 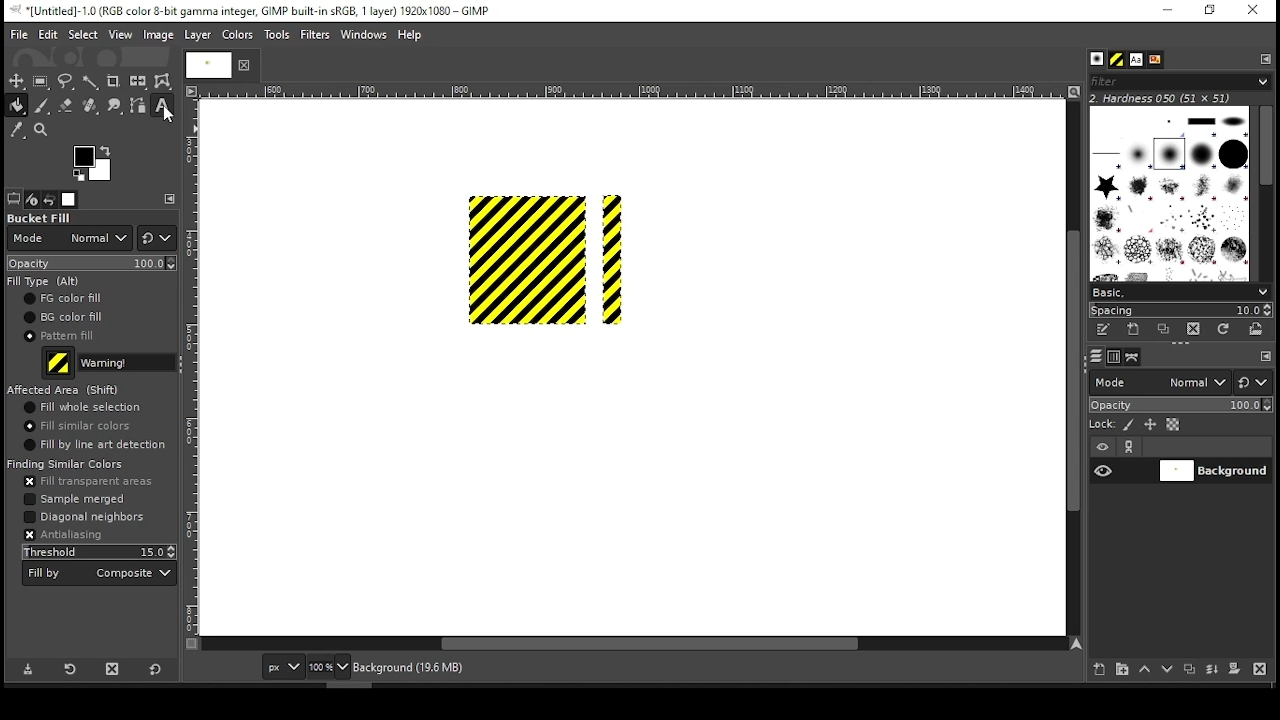 What do you see at coordinates (1136, 329) in the screenshot?
I see `create a new brush` at bounding box center [1136, 329].